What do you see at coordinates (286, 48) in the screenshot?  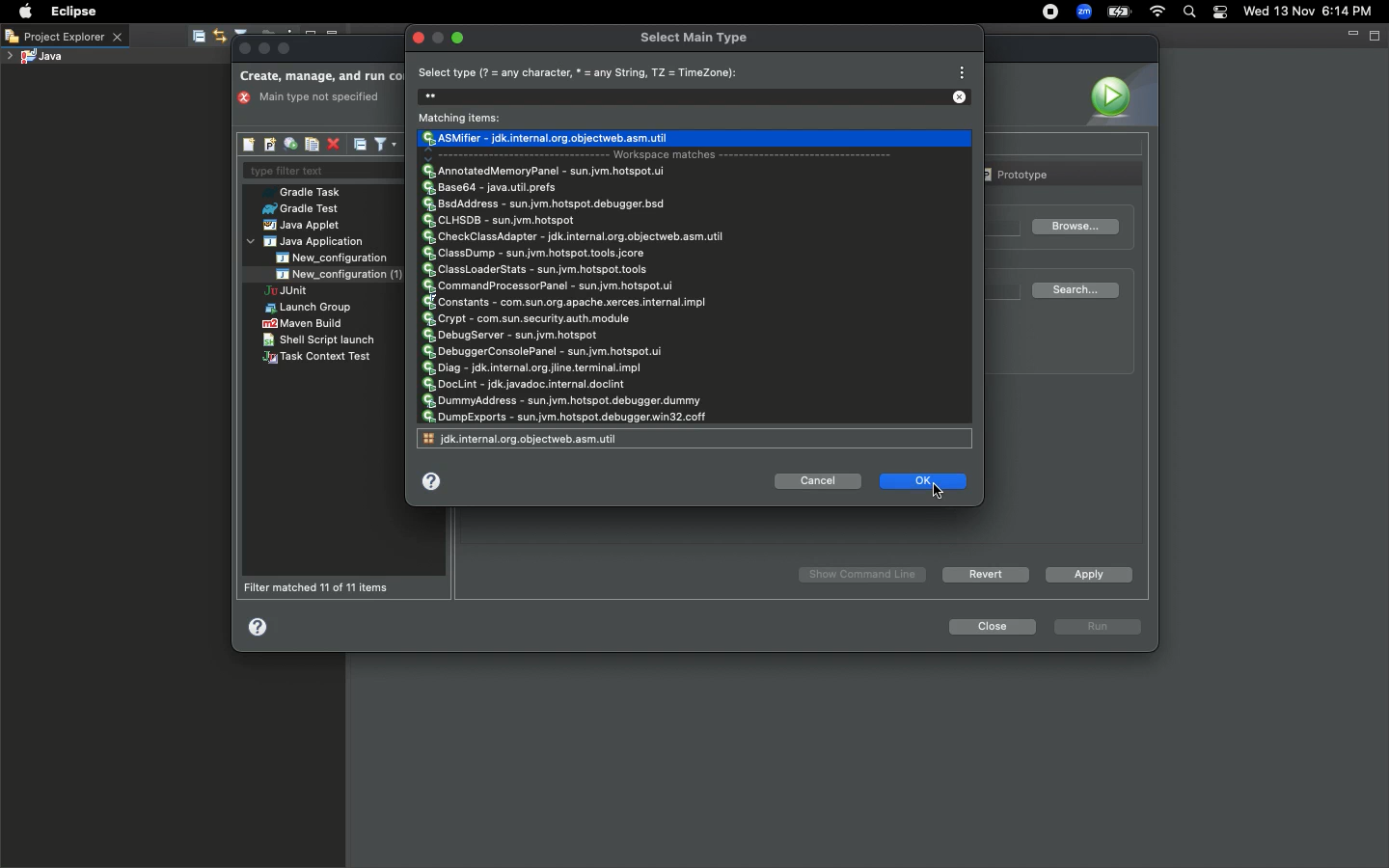 I see `Maximize` at bounding box center [286, 48].